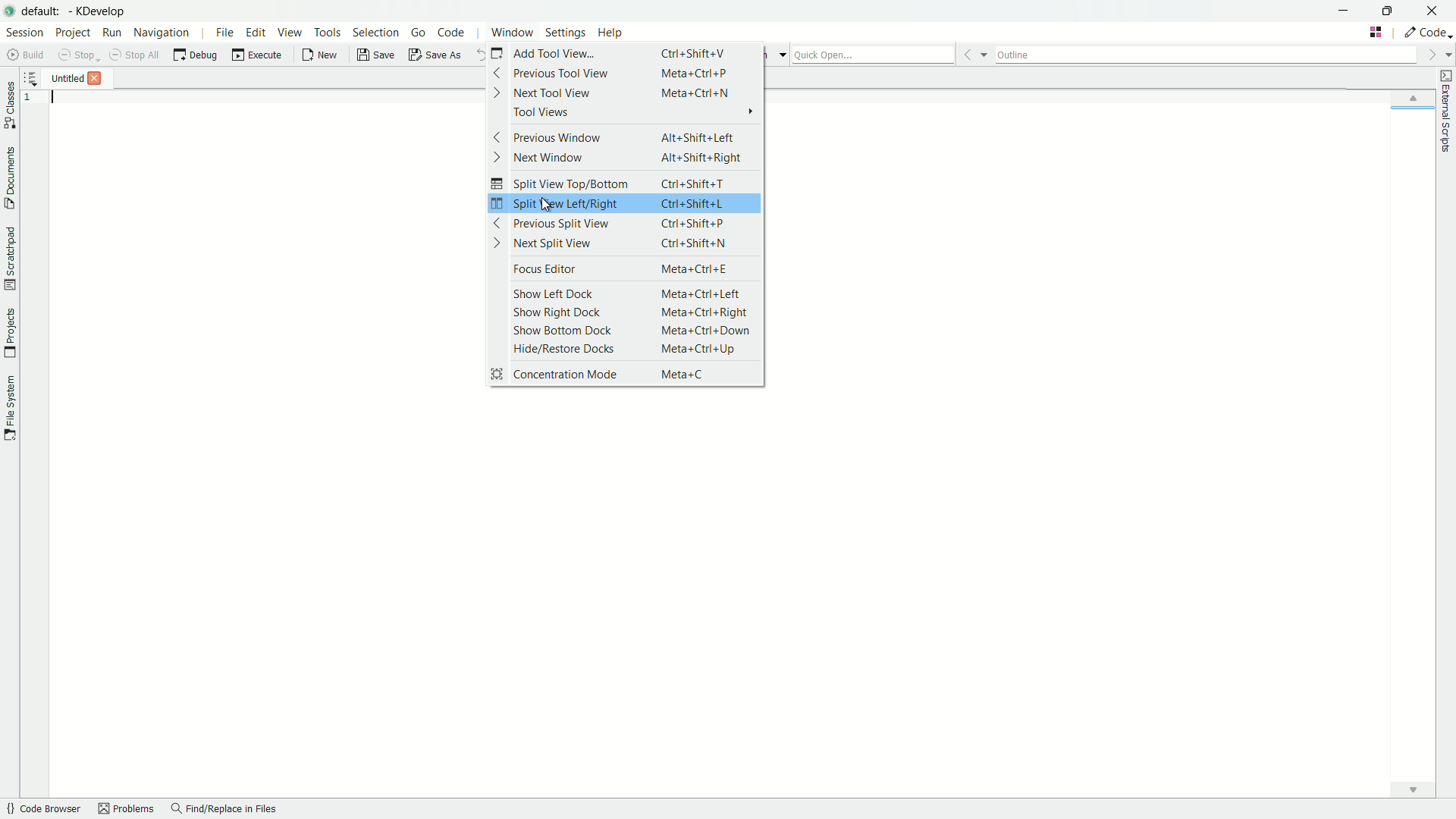 This screenshot has height=819, width=1456. Describe the element at coordinates (566, 33) in the screenshot. I see `settings menu` at that location.